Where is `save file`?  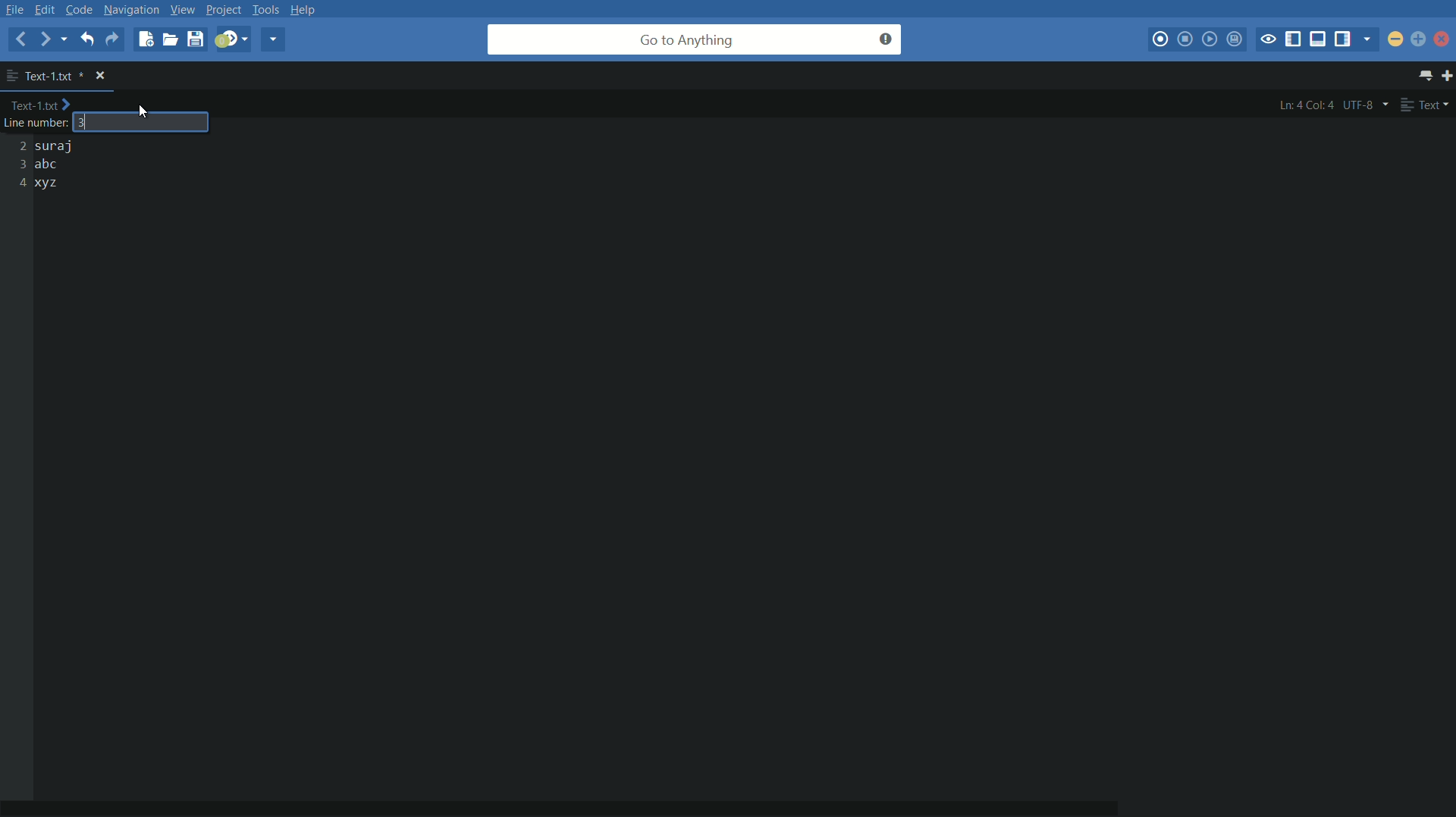
save file is located at coordinates (195, 40).